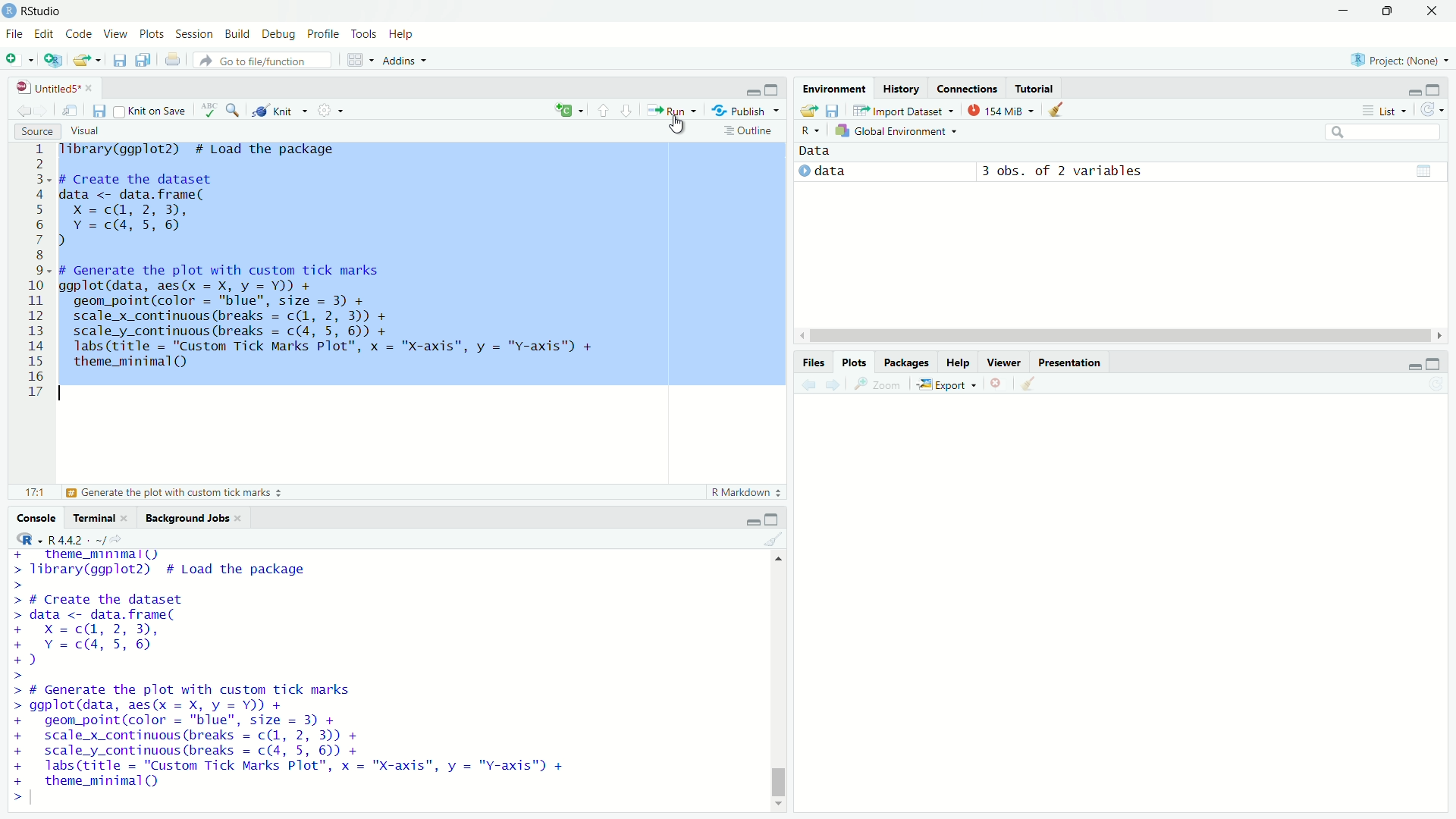  I want to click on prompt cursor, so click(19, 677).